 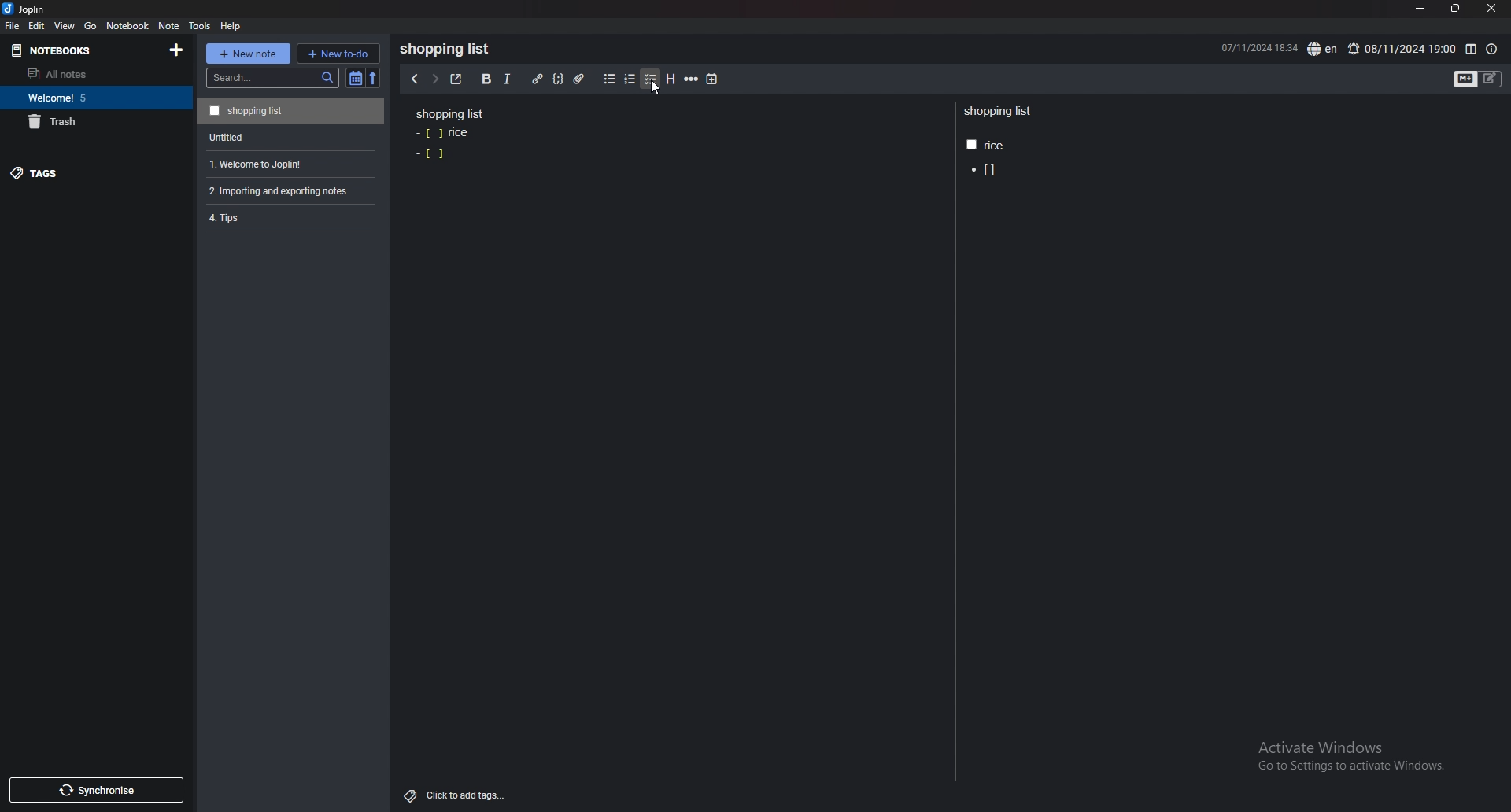 What do you see at coordinates (89, 74) in the screenshot?
I see `all notes` at bounding box center [89, 74].